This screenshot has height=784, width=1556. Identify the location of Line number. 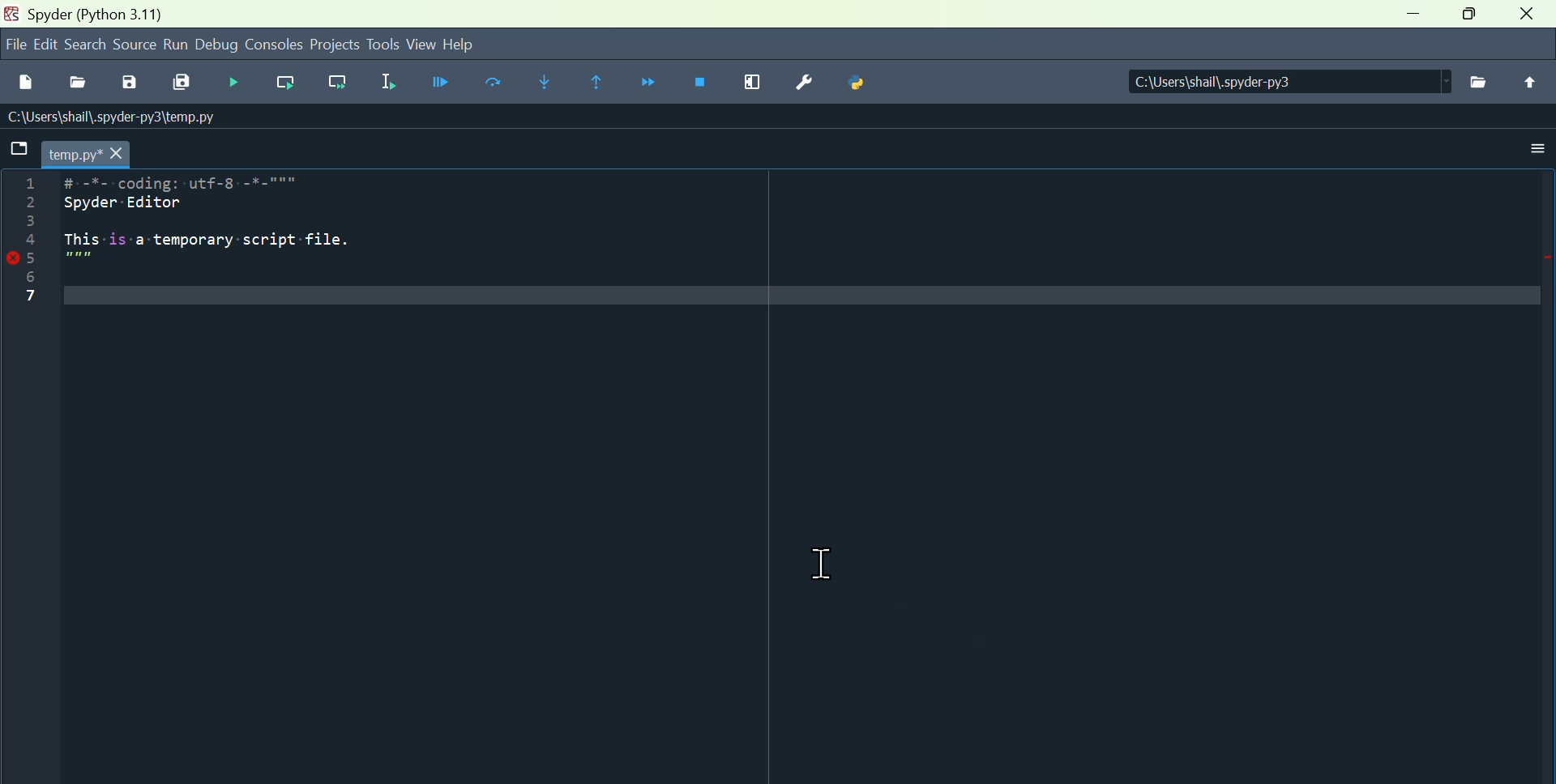
(28, 246).